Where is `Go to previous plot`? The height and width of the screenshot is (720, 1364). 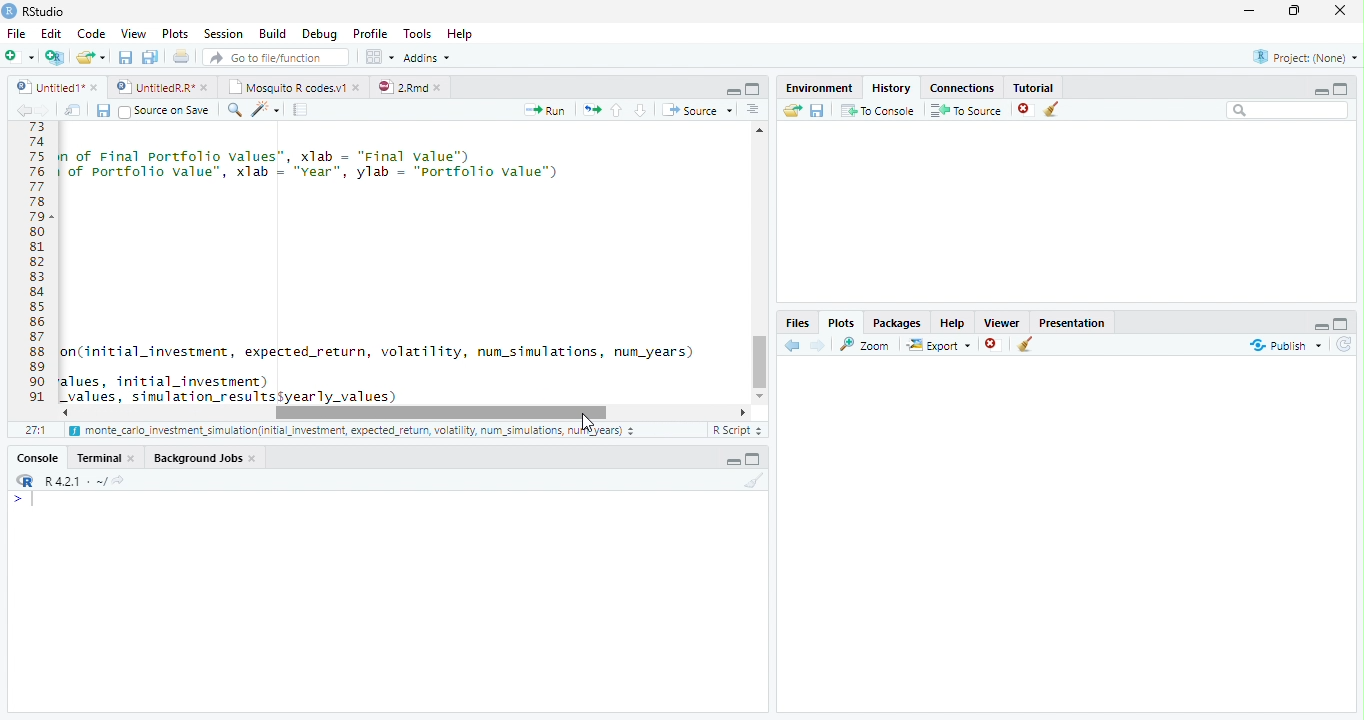
Go to previous plot is located at coordinates (793, 345).